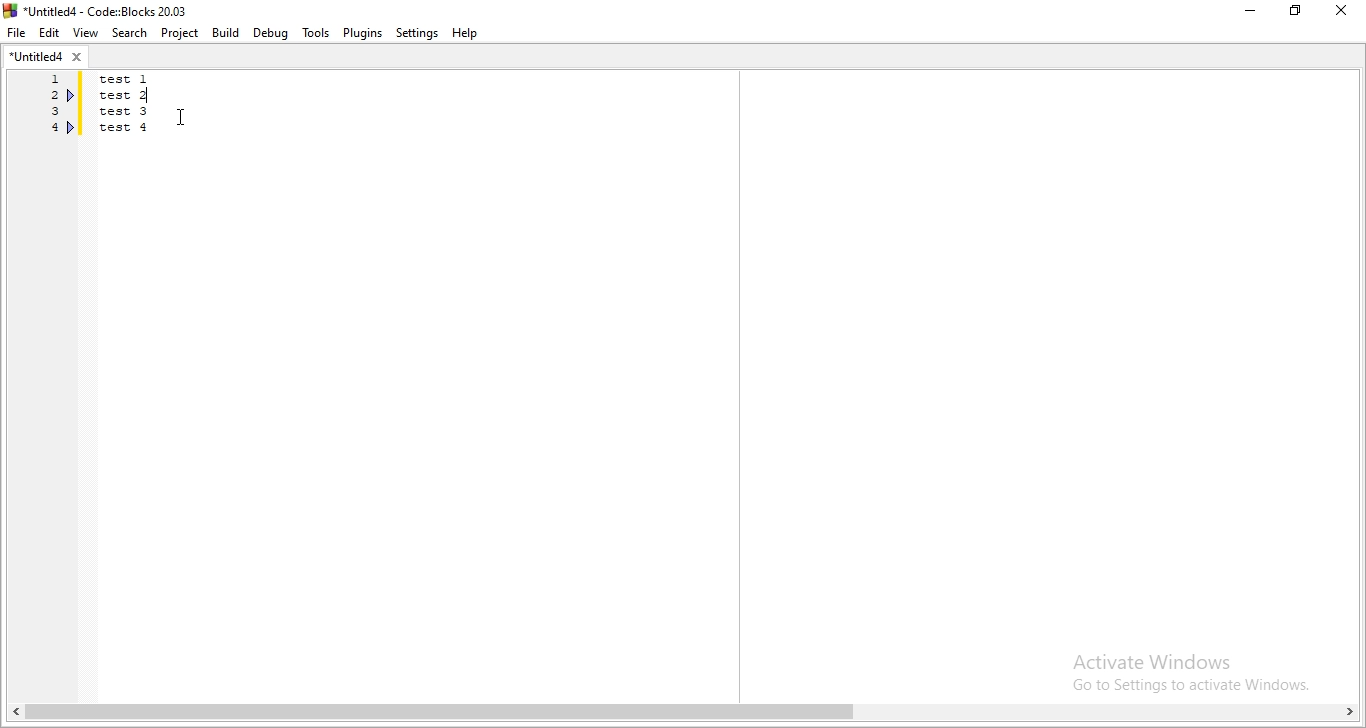  I want to click on test 1, so click(137, 79).